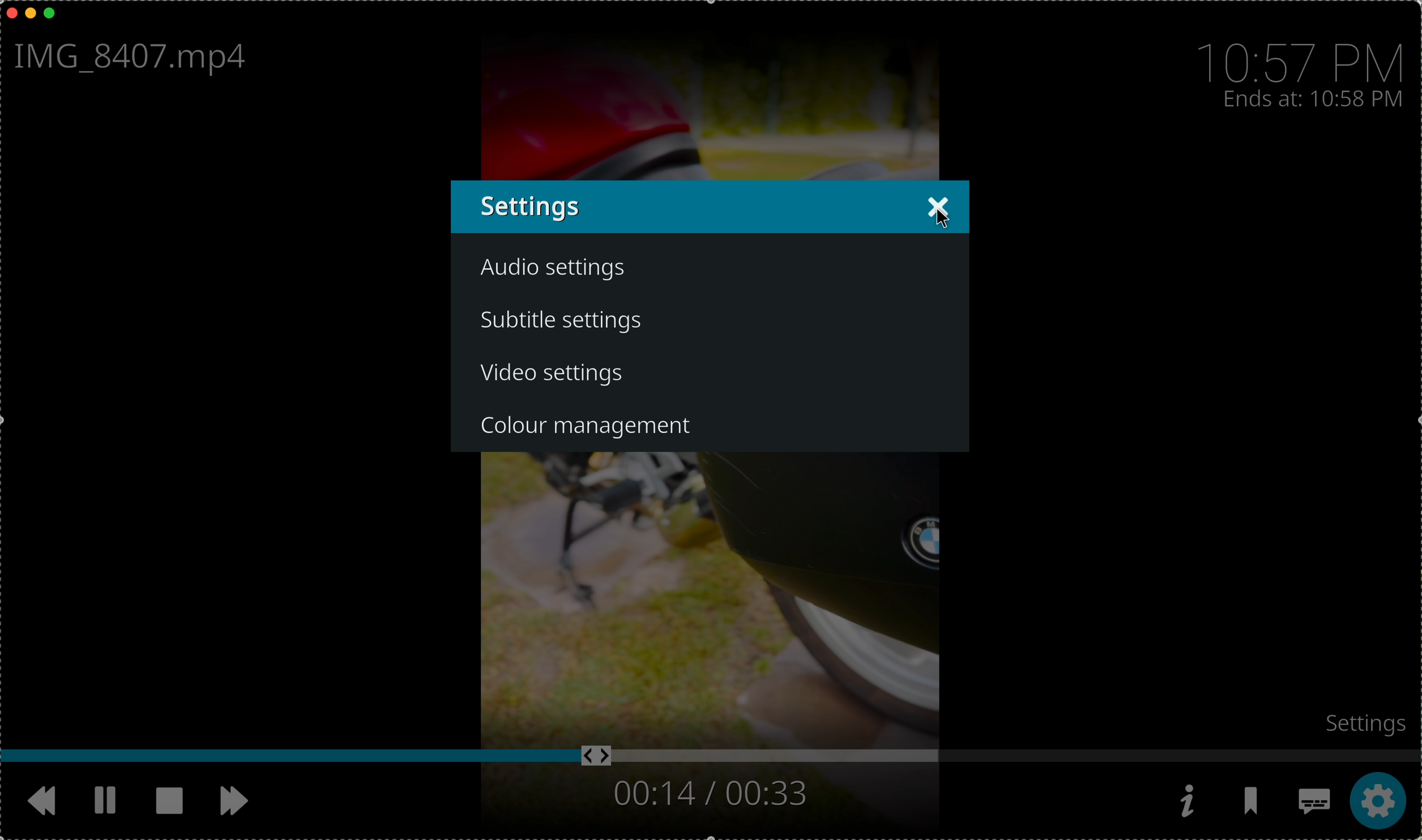 The image size is (1422, 840). What do you see at coordinates (9, 12) in the screenshot?
I see `close ` at bounding box center [9, 12].